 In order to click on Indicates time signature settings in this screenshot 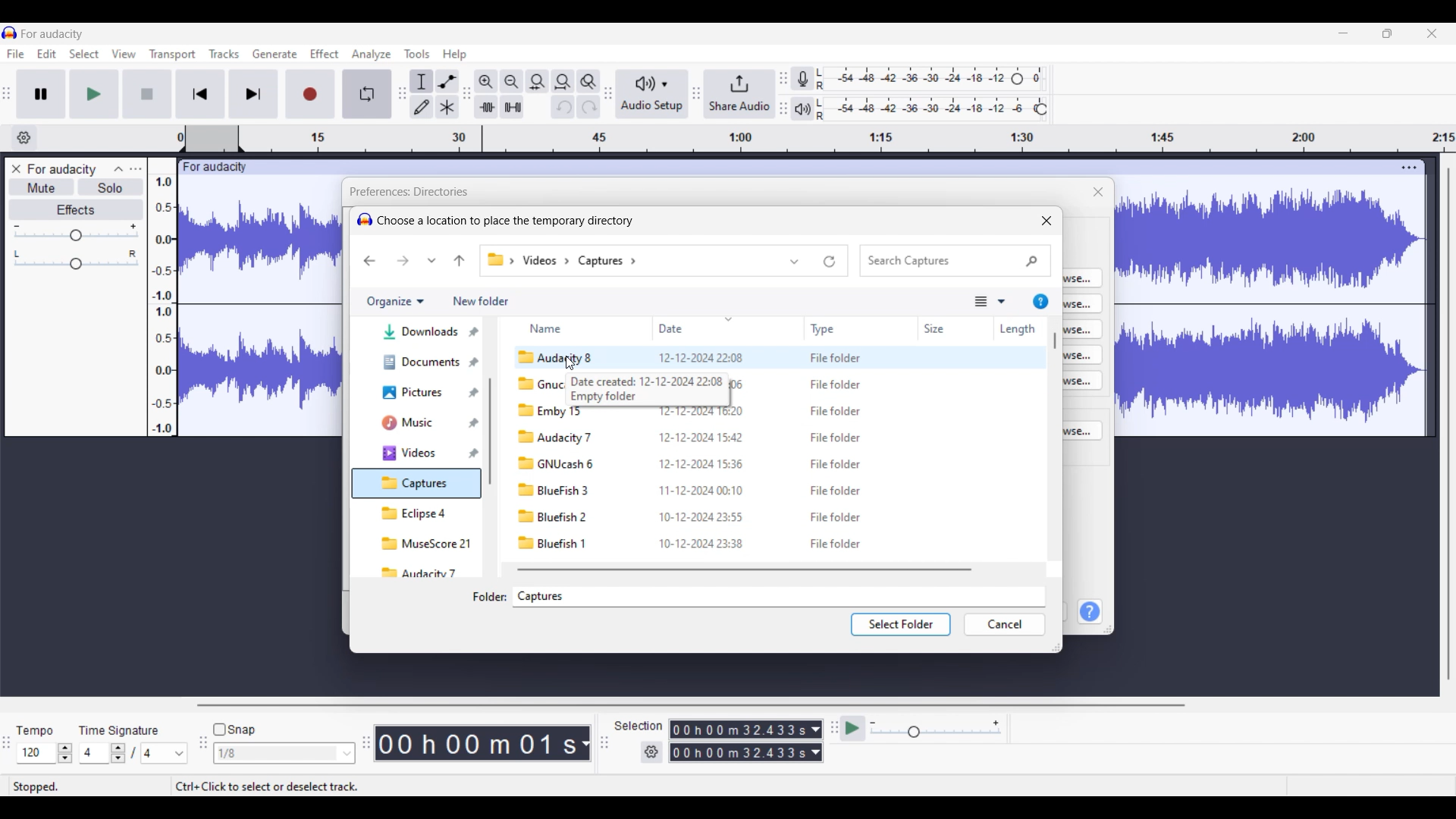, I will do `click(119, 730)`.